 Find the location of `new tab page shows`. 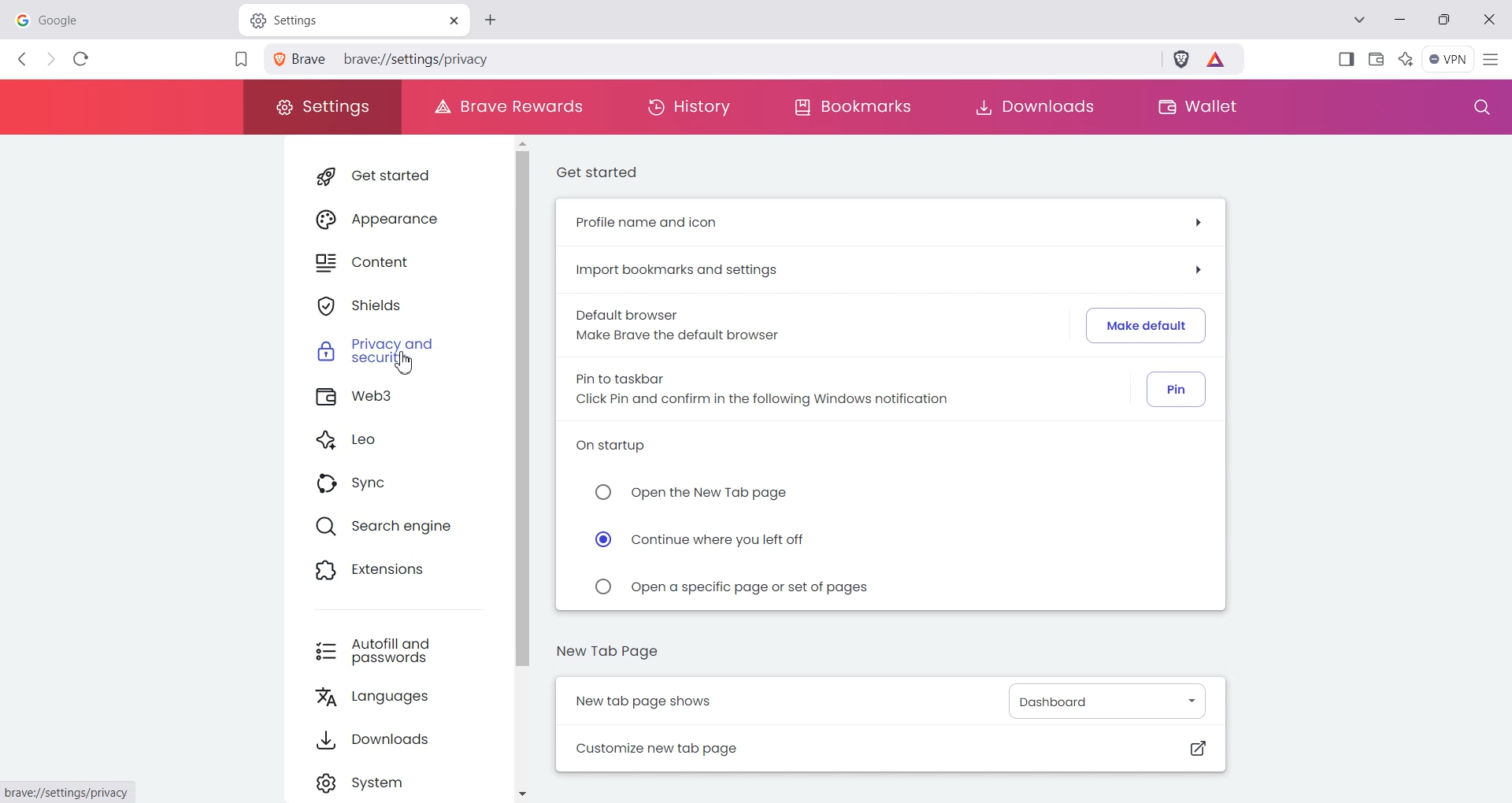

new tab page shows is located at coordinates (693, 699).